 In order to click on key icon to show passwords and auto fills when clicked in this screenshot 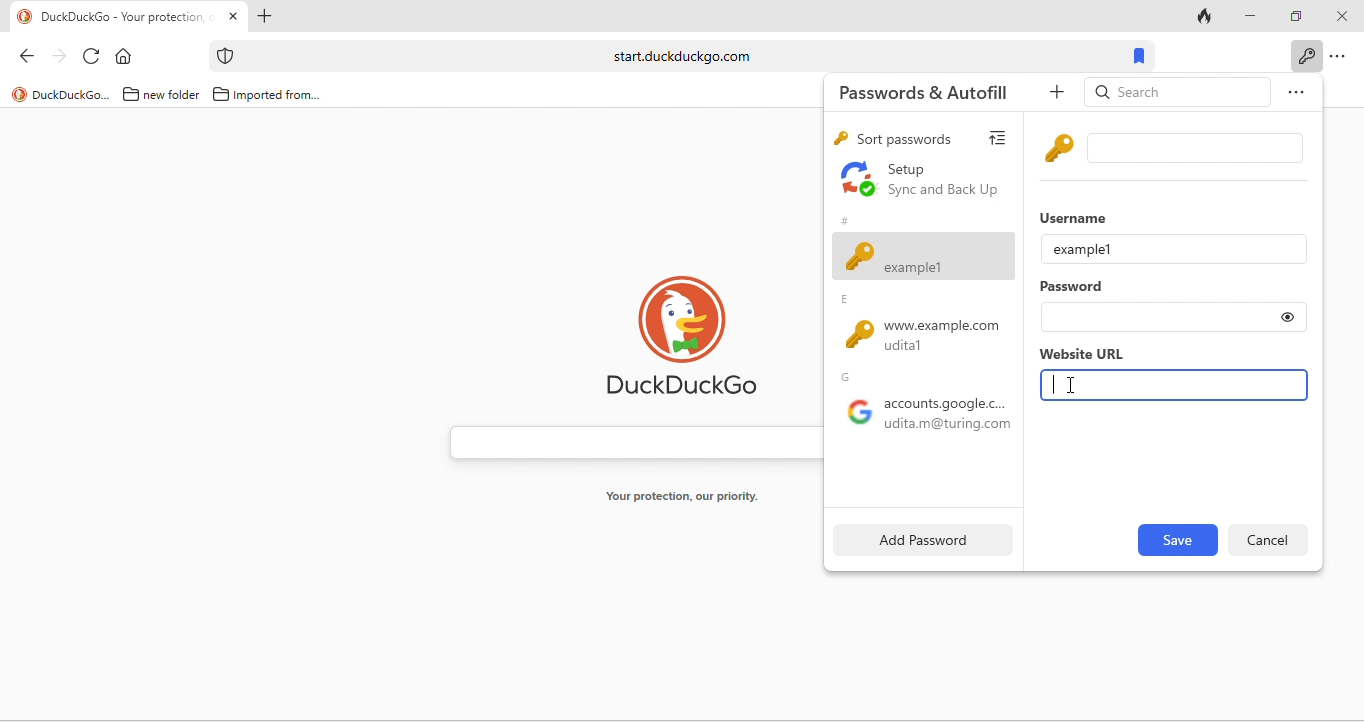, I will do `click(1306, 55)`.